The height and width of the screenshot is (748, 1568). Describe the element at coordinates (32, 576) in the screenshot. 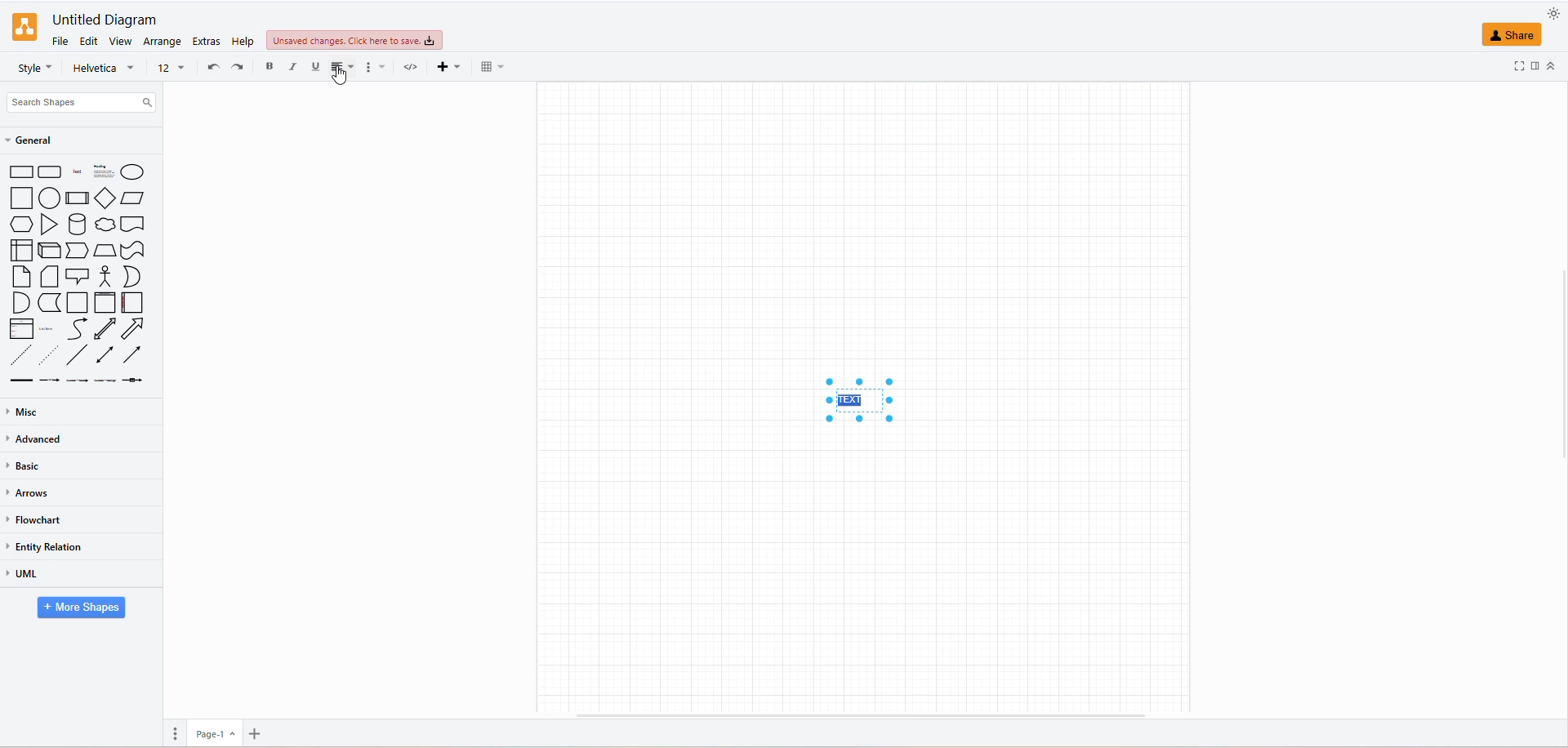

I see `uml` at that location.